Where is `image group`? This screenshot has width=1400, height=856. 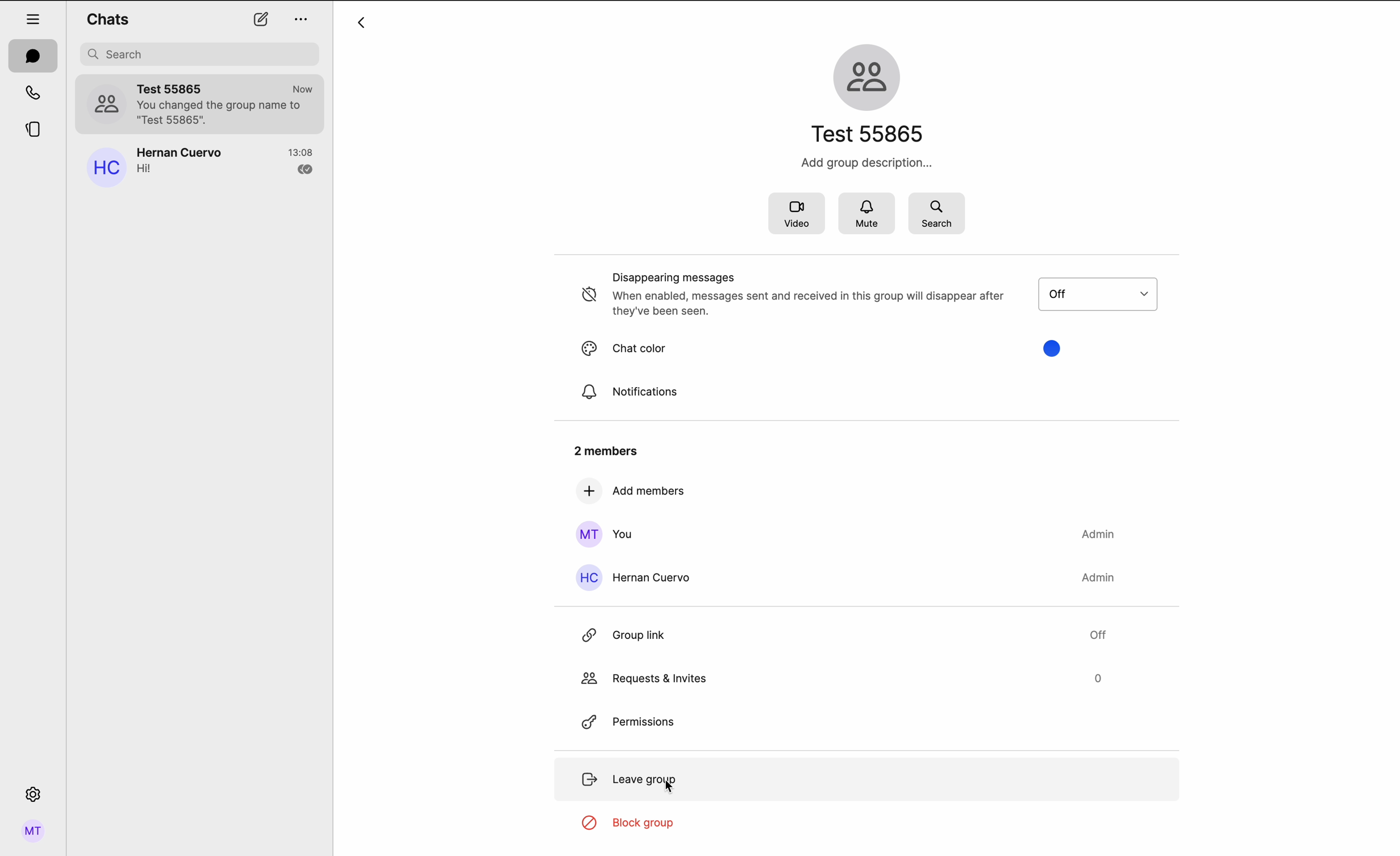 image group is located at coordinates (870, 75).